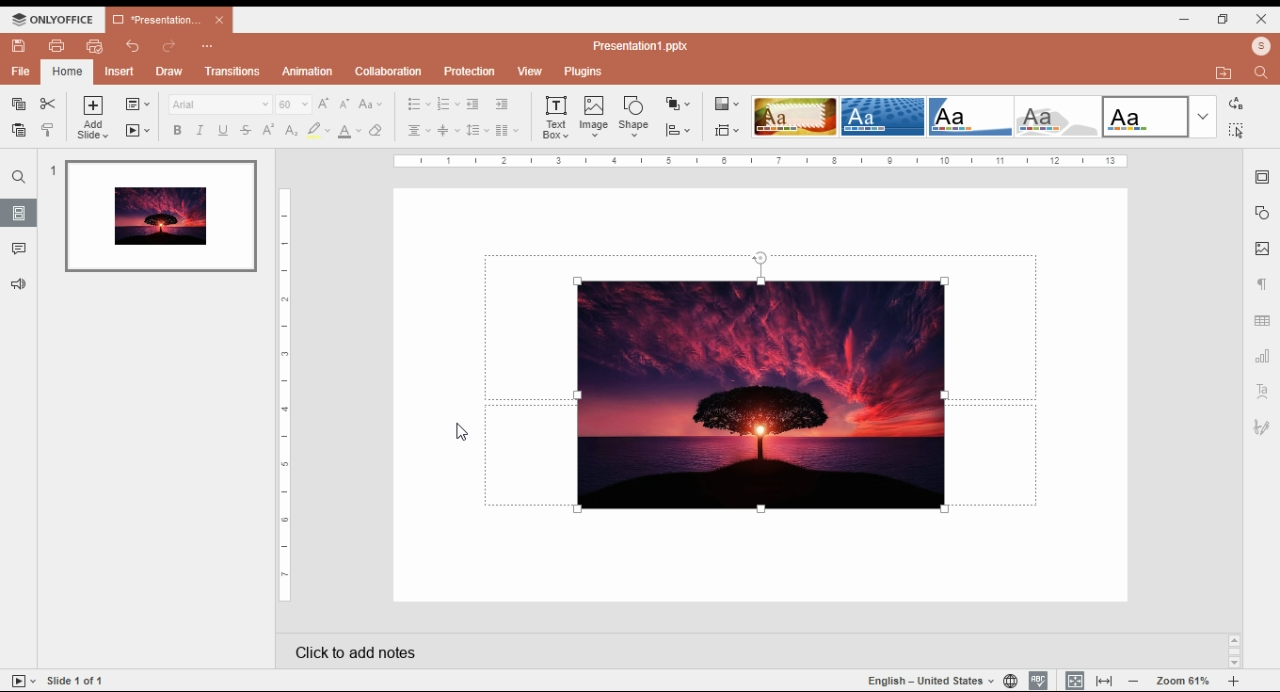  What do you see at coordinates (418, 105) in the screenshot?
I see `bullets` at bounding box center [418, 105].